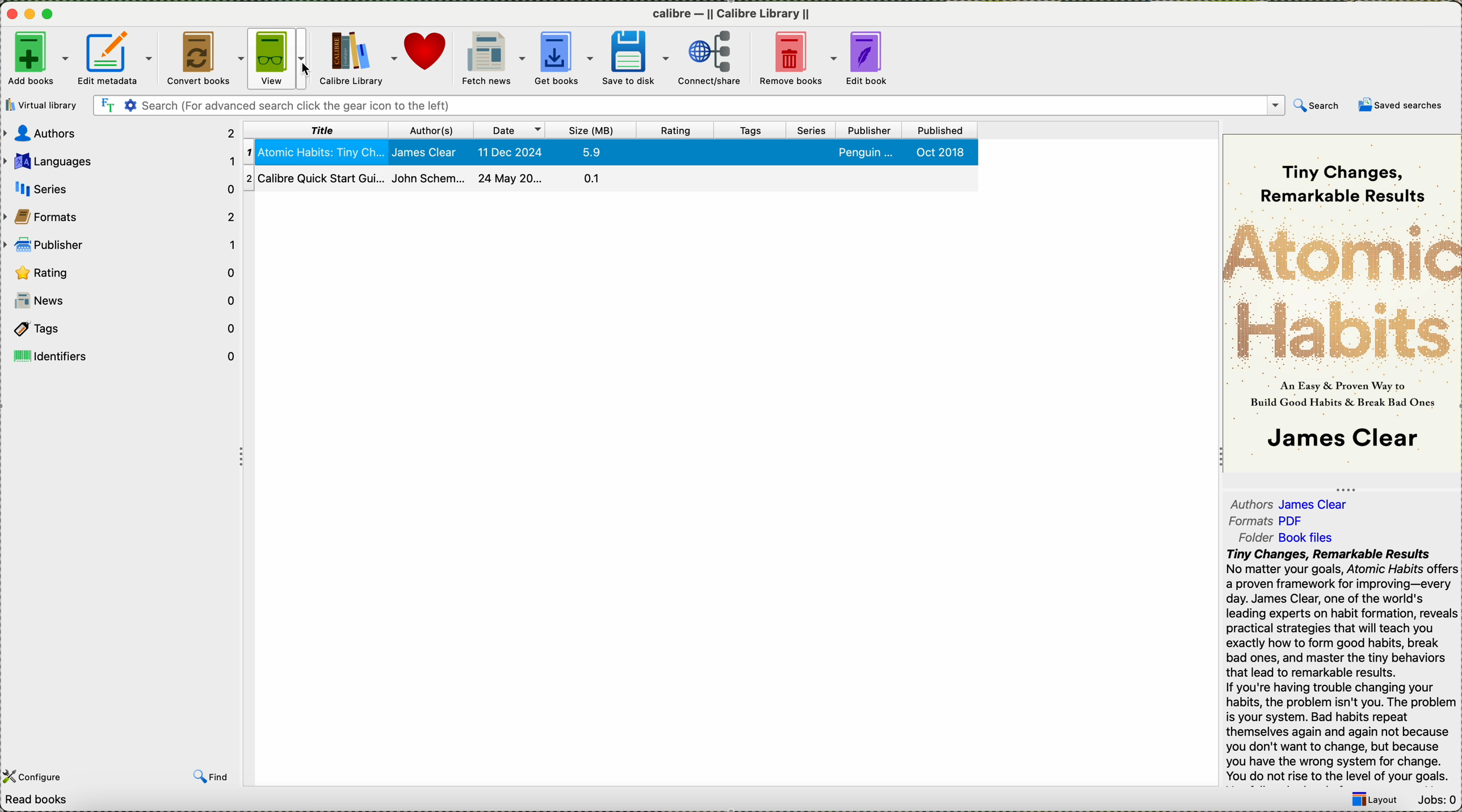 Image resolution: width=1462 pixels, height=812 pixels. Describe the element at coordinates (751, 131) in the screenshot. I see `tags` at that location.